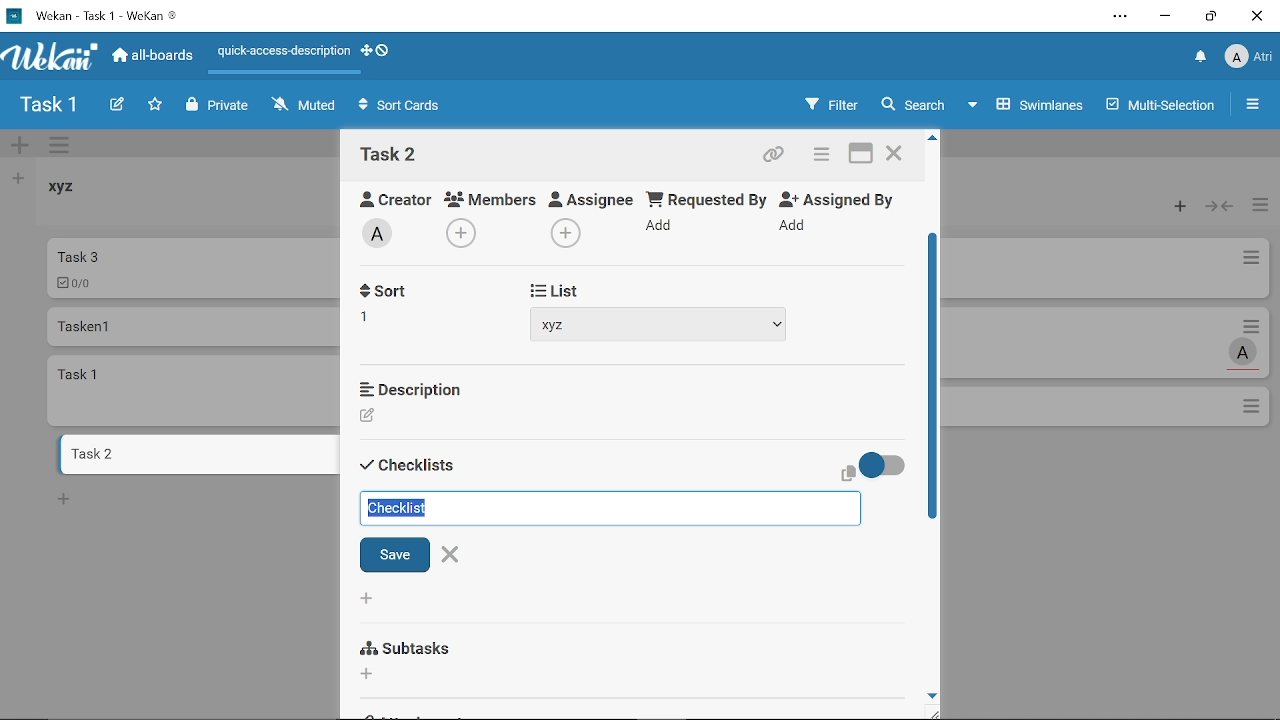 This screenshot has width=1280, height=720. I want to click on Car, so click(192, 267).